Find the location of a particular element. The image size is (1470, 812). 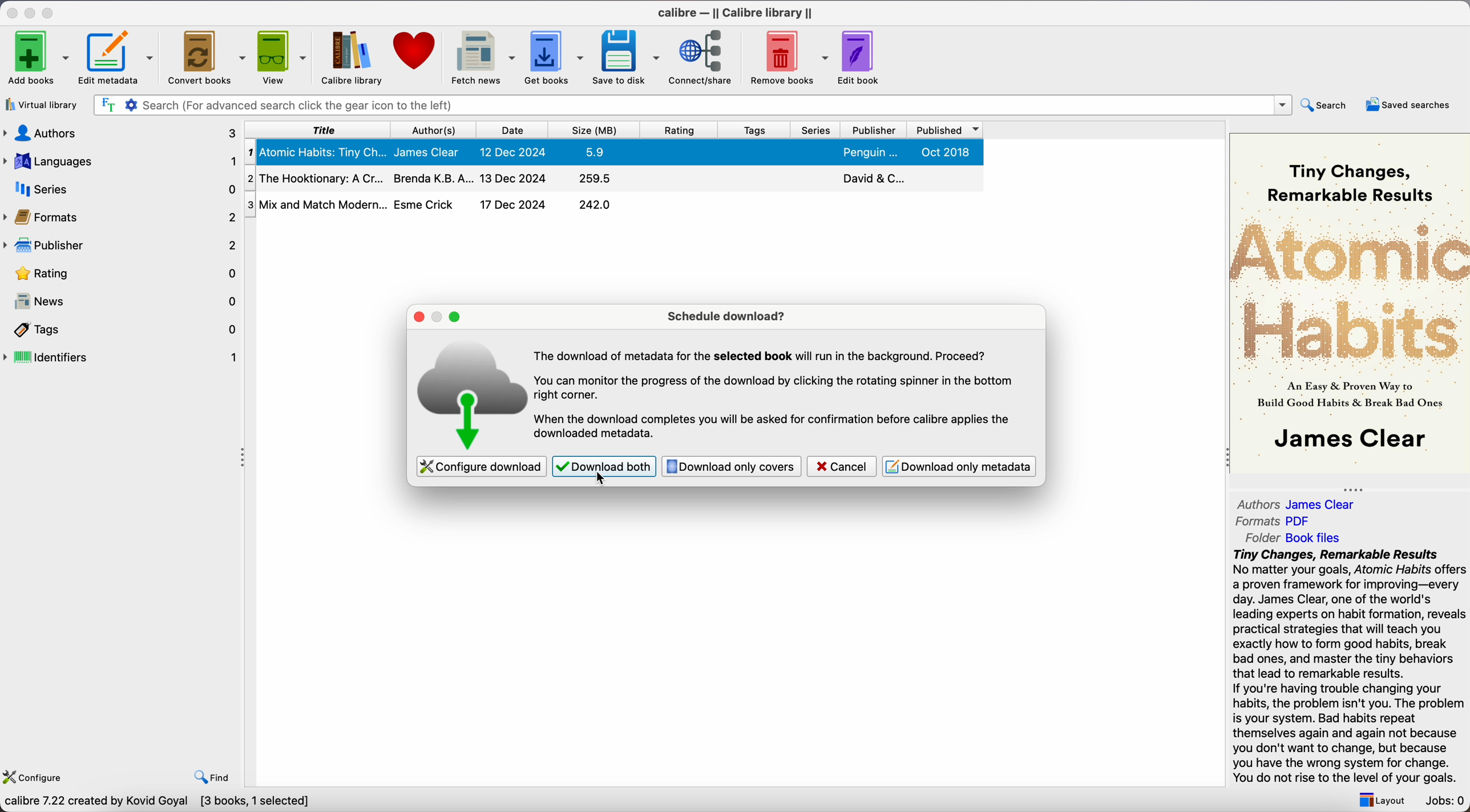

Calibre - || Calibre library || is located at coordinates (732, 14).